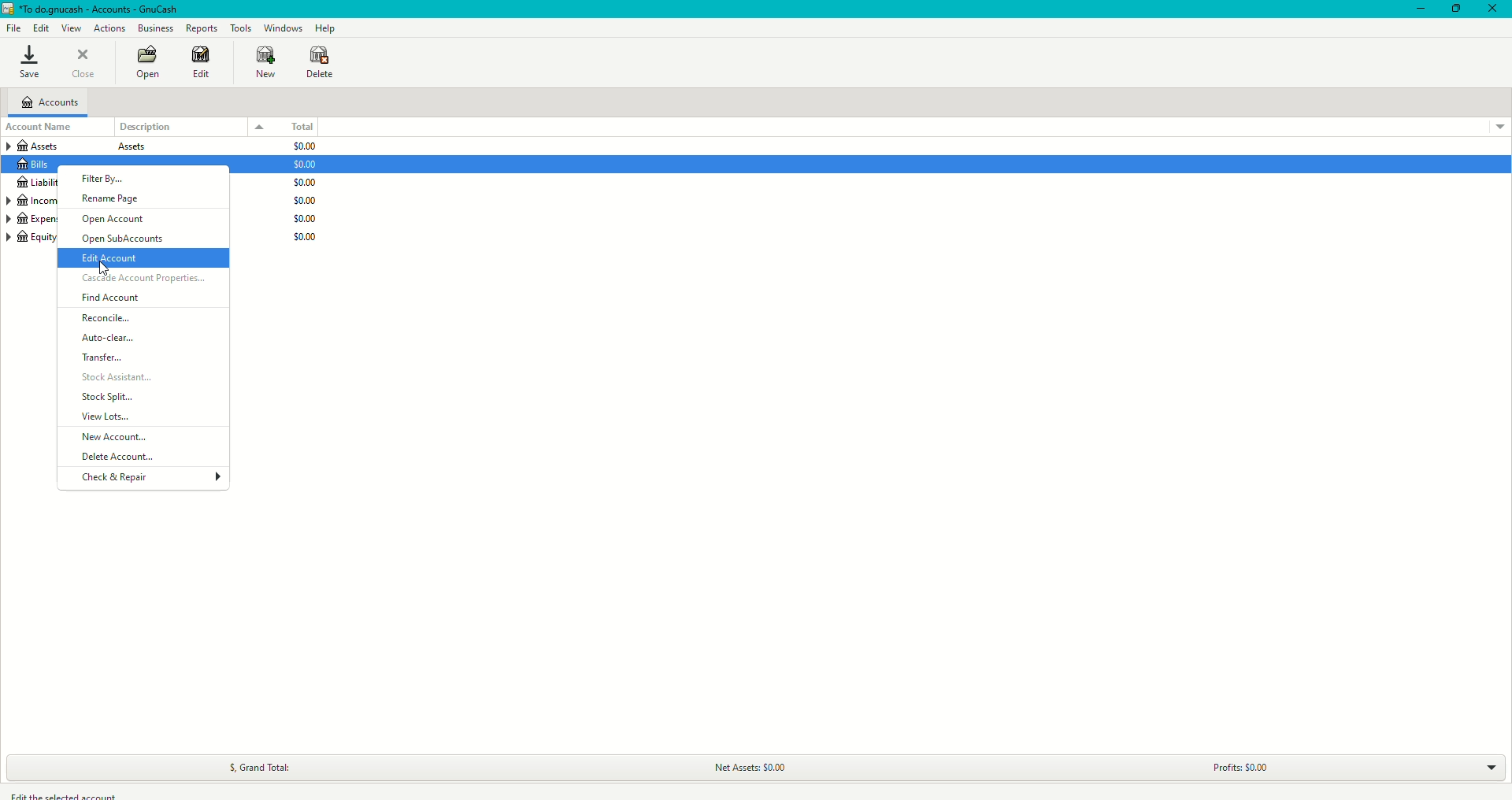  I want to click on Profits, so click(1247, 765).